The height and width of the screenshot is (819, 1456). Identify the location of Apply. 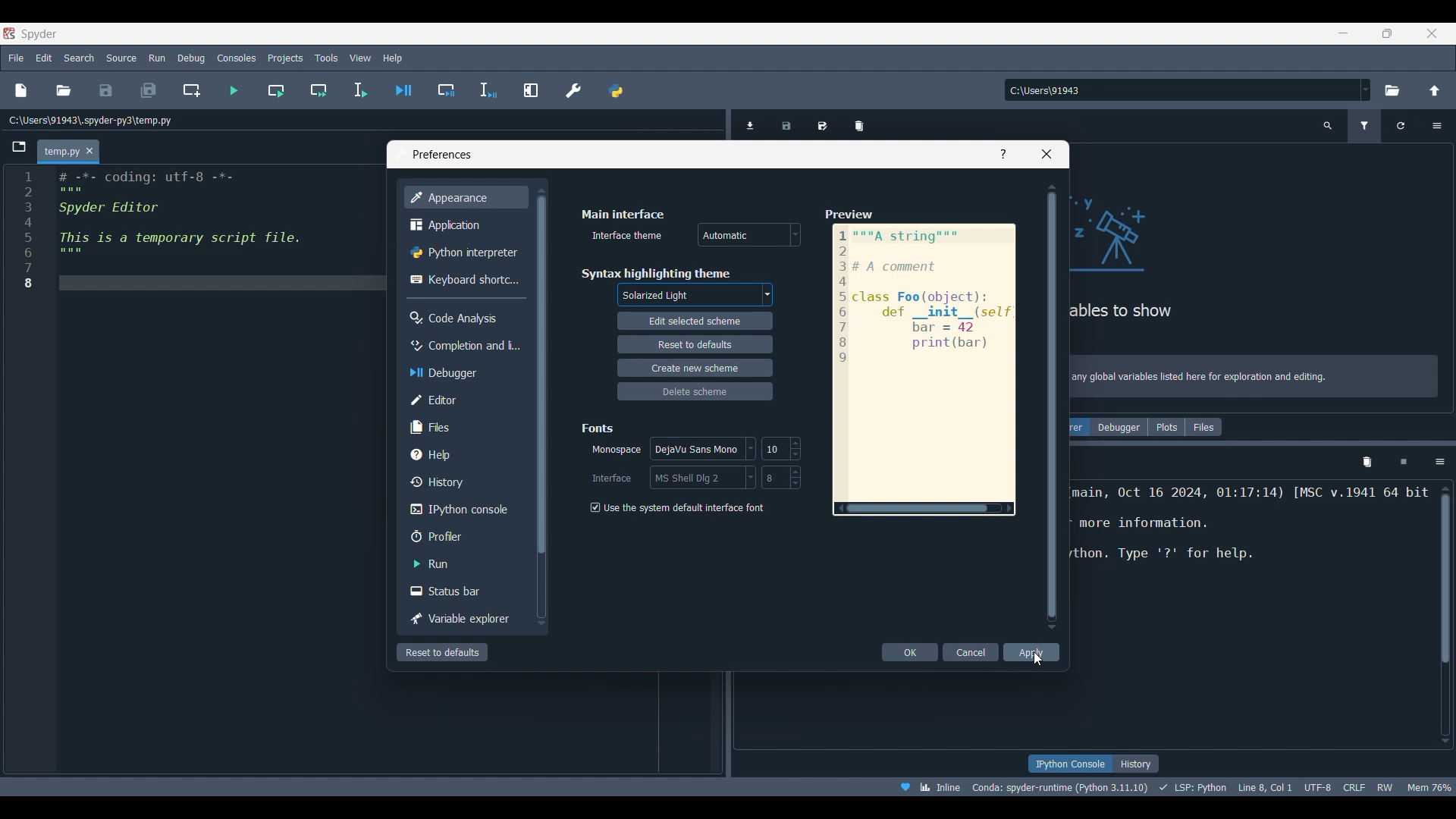
(1032, 652).